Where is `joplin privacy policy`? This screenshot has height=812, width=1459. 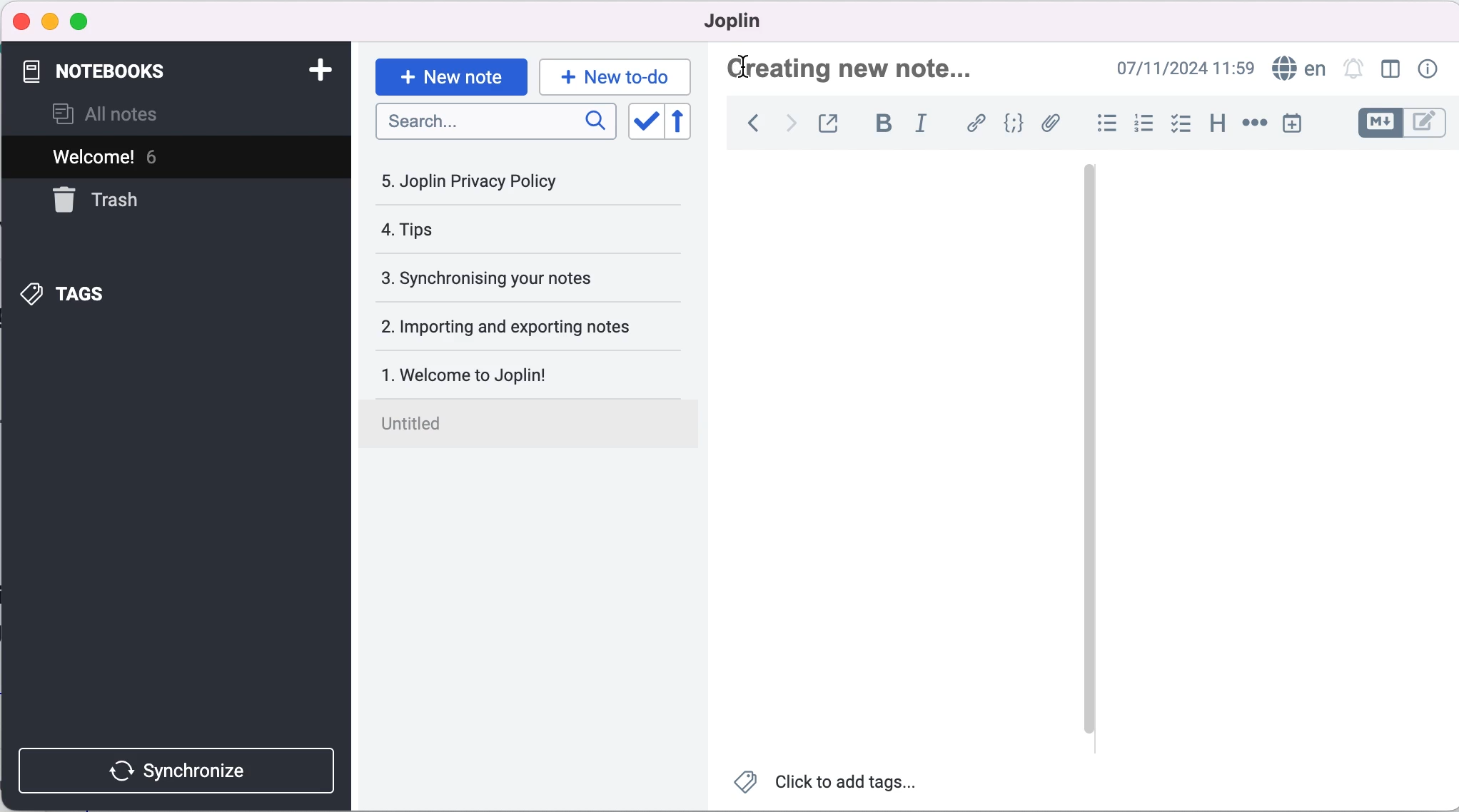 joplin privacy policy is located at coordinates (480, 181).